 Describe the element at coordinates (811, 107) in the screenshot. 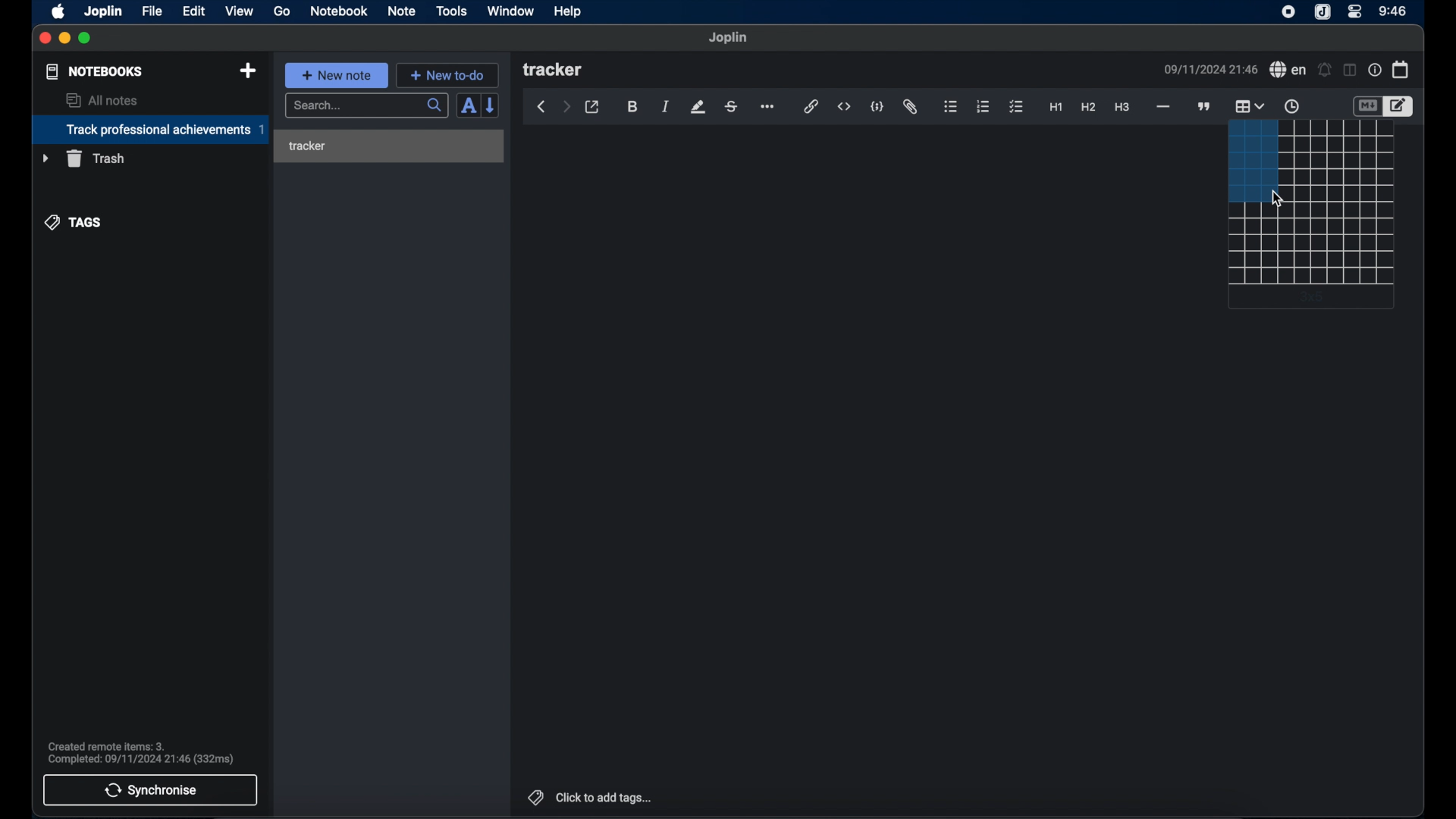

I see `hyperlink` at that location.